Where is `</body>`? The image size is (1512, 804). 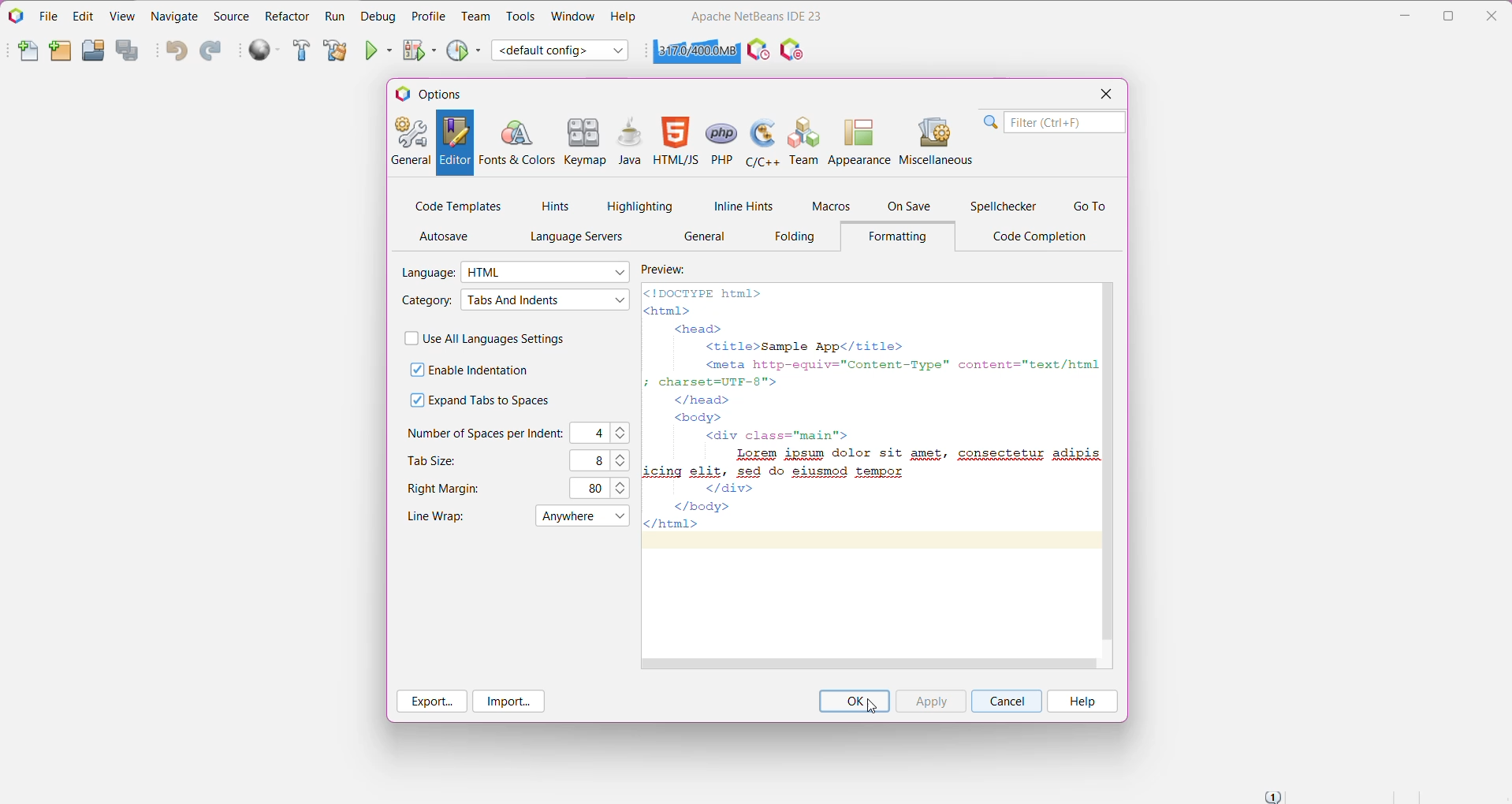 </body> is located at coordinates (701, 504).